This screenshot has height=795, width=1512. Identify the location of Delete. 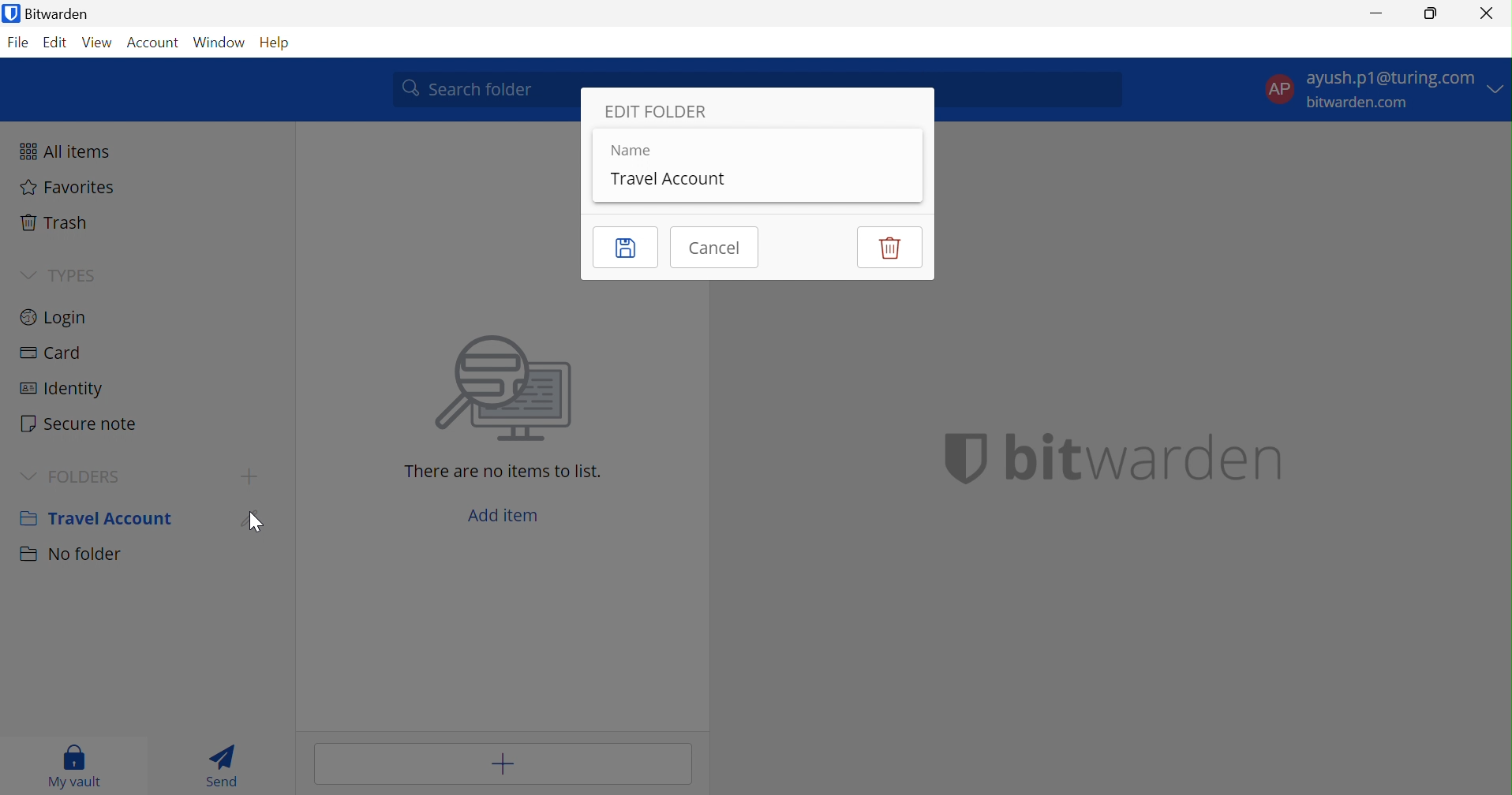
(888, 247).